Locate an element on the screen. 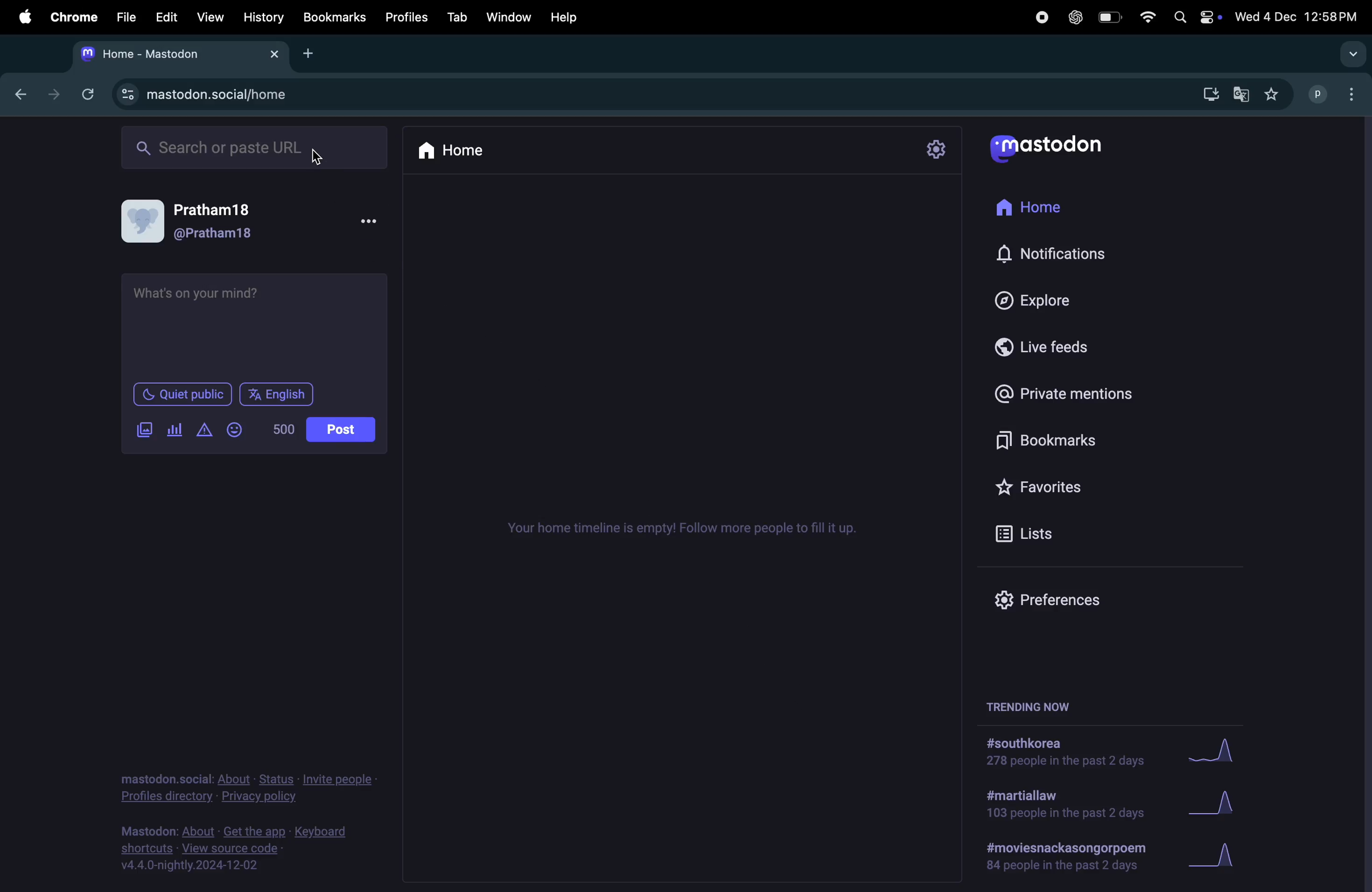 This screenshot has height=892, width=1372. userprofile is located at coordinates (200, 218).